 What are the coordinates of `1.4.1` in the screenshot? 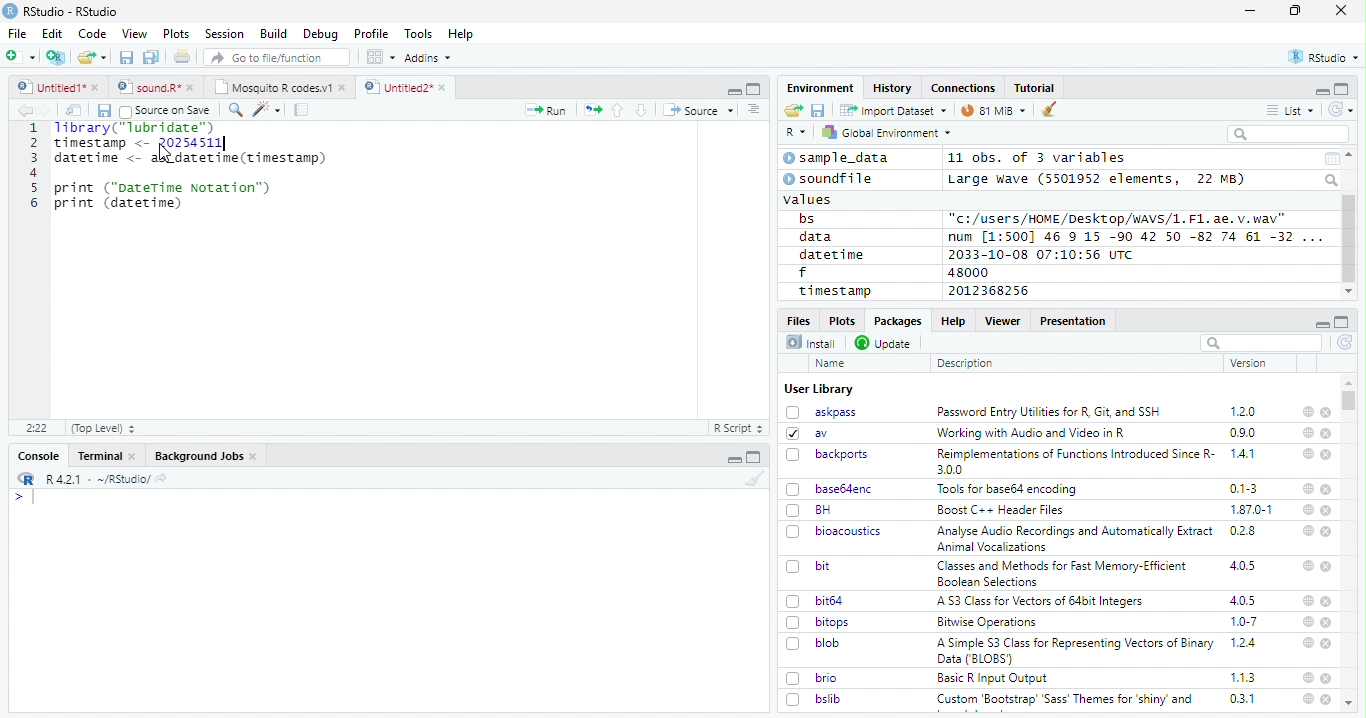 It's located at (1244, 453).